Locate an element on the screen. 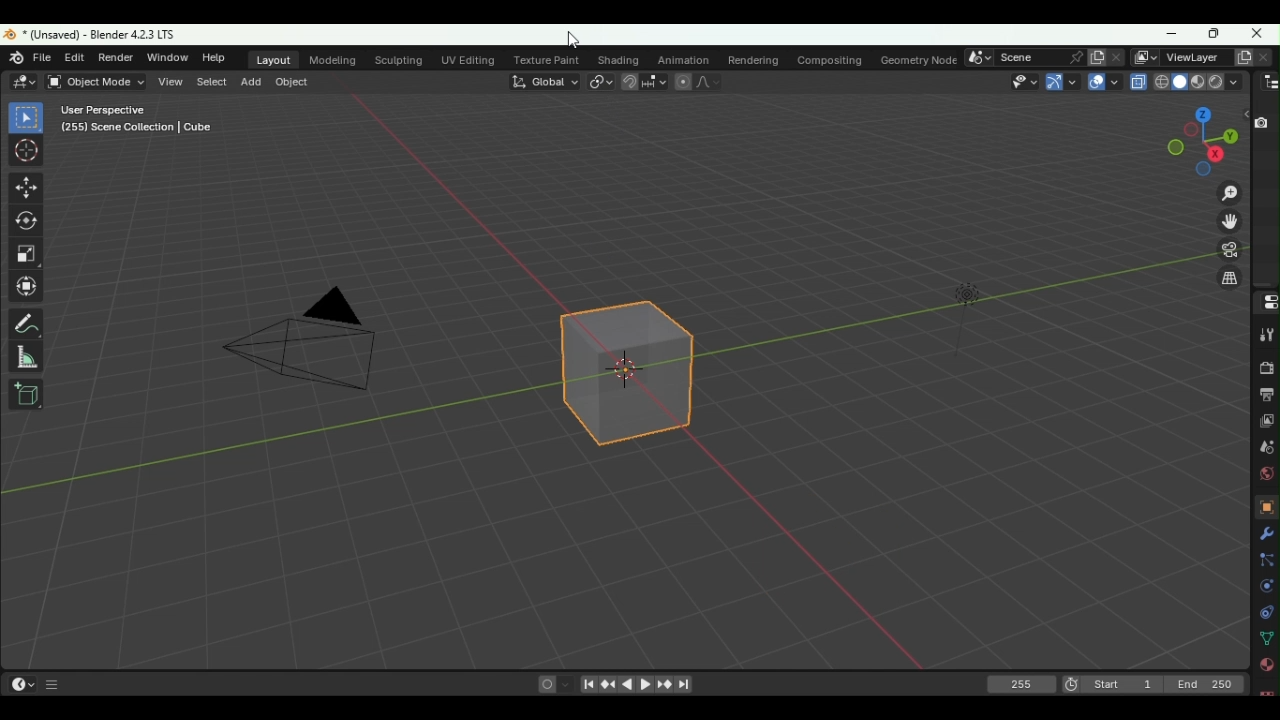 The width and height of the screenshot is (1280, 720). Proportional editing objects is located at coordinates (680, 81).